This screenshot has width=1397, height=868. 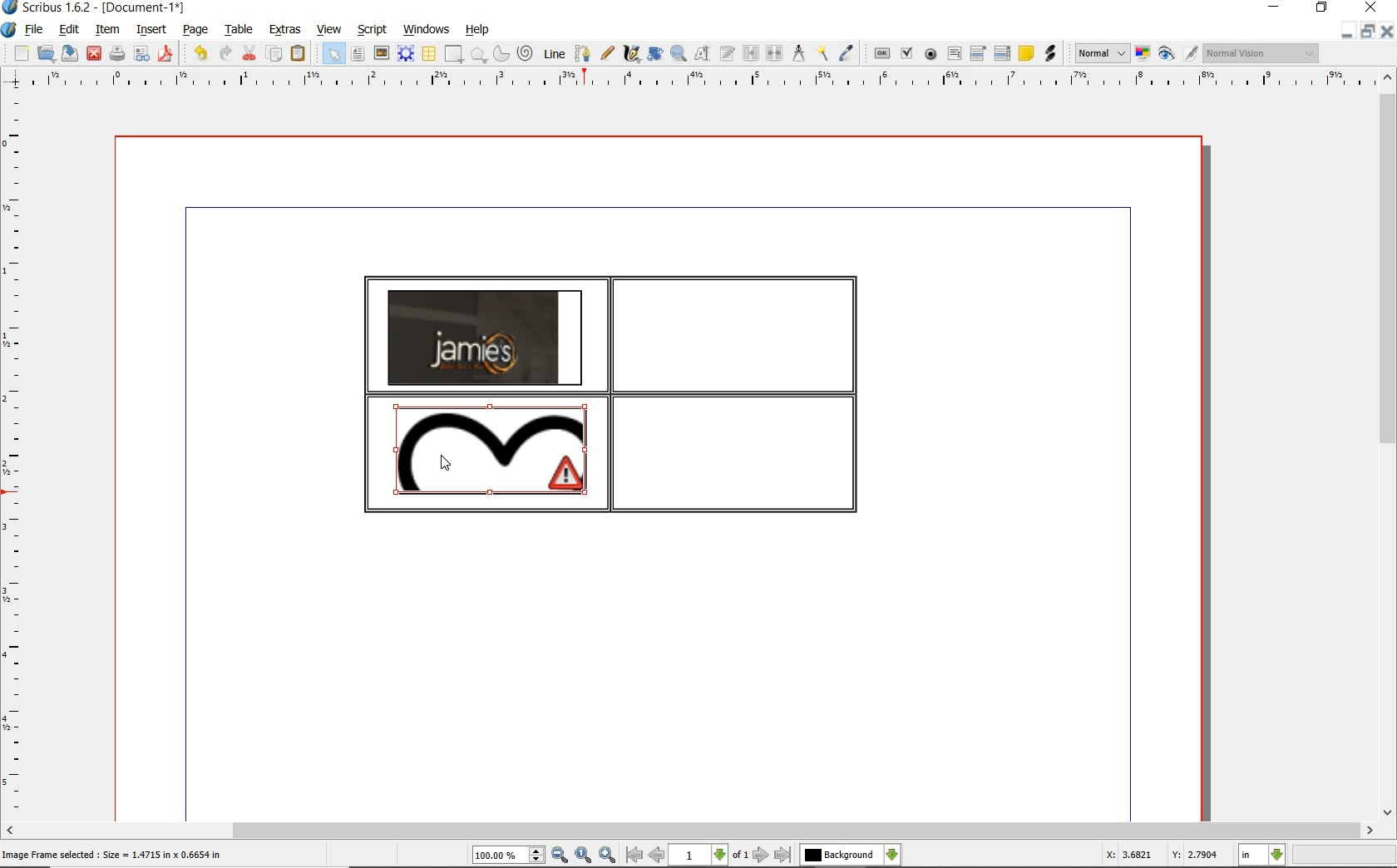 What do you see at coordinates (1167, 55) in the screenshot?
I see `preview mode` at bounding box center [1167, 55].